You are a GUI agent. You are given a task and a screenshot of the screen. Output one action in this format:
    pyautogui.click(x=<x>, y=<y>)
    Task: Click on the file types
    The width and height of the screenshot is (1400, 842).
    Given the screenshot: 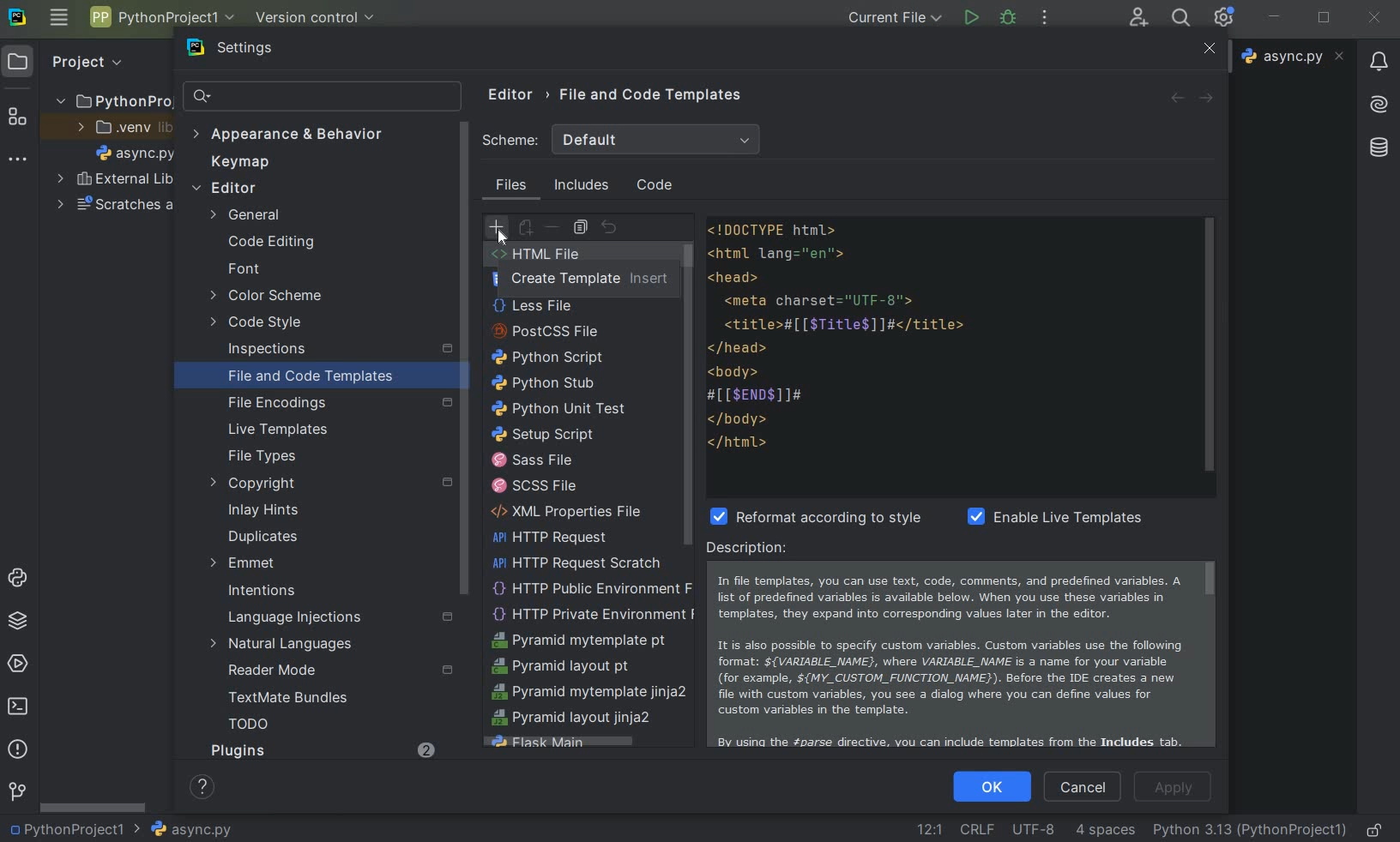 What is the action you would take?
    pyautogui.click(x=287, y=456)
    